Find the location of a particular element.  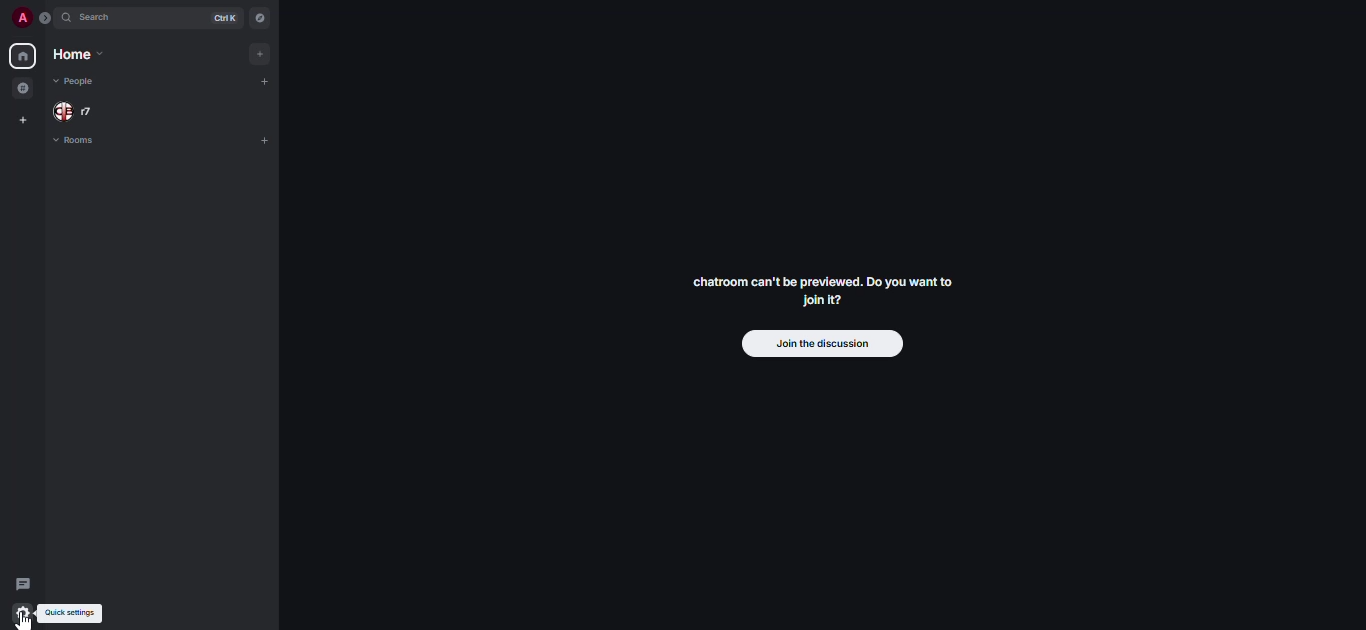

chatroom can't be previewed. Join it? is located at coordinates (826, 289).